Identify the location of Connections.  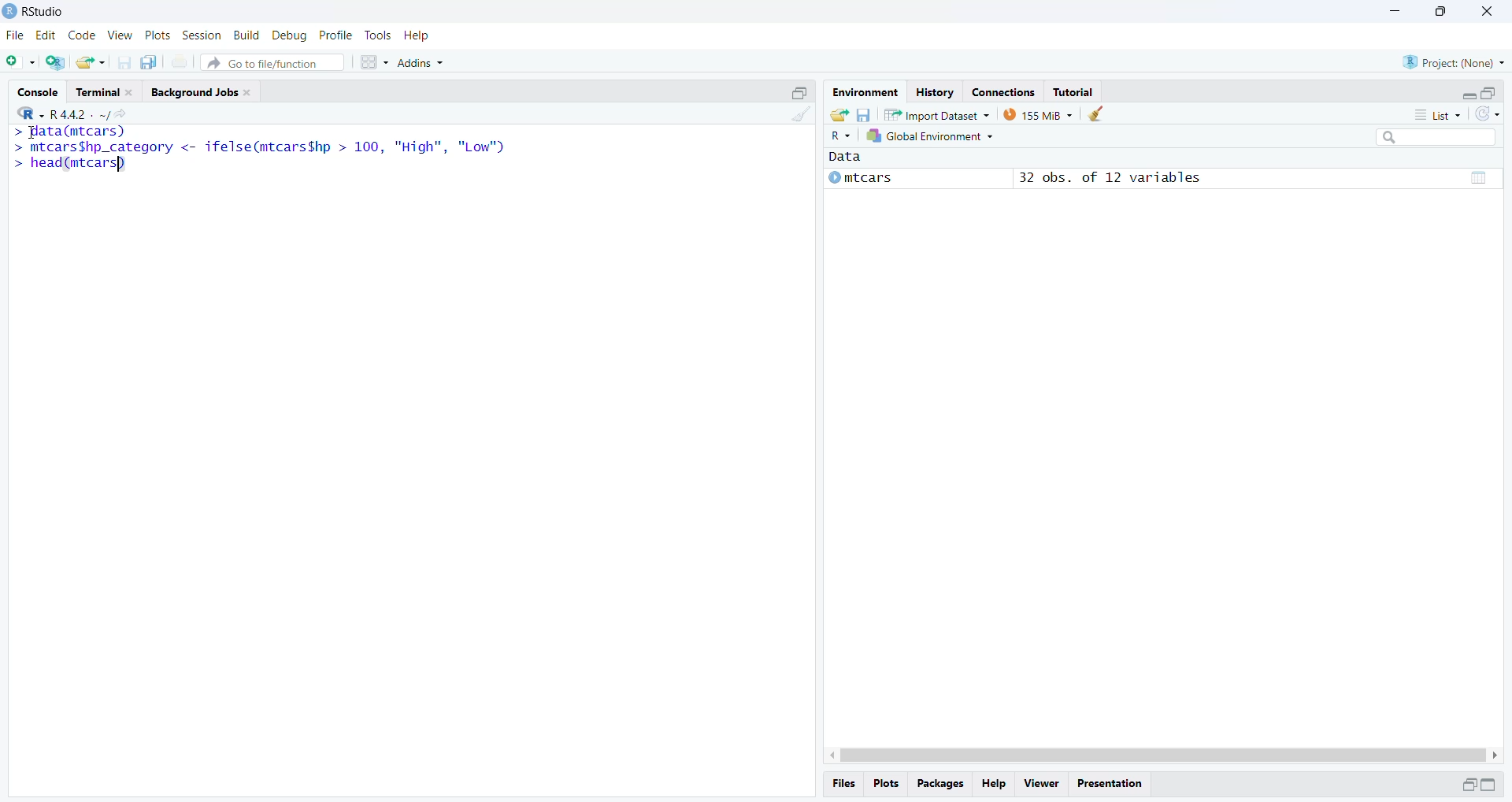
(1002, 91).